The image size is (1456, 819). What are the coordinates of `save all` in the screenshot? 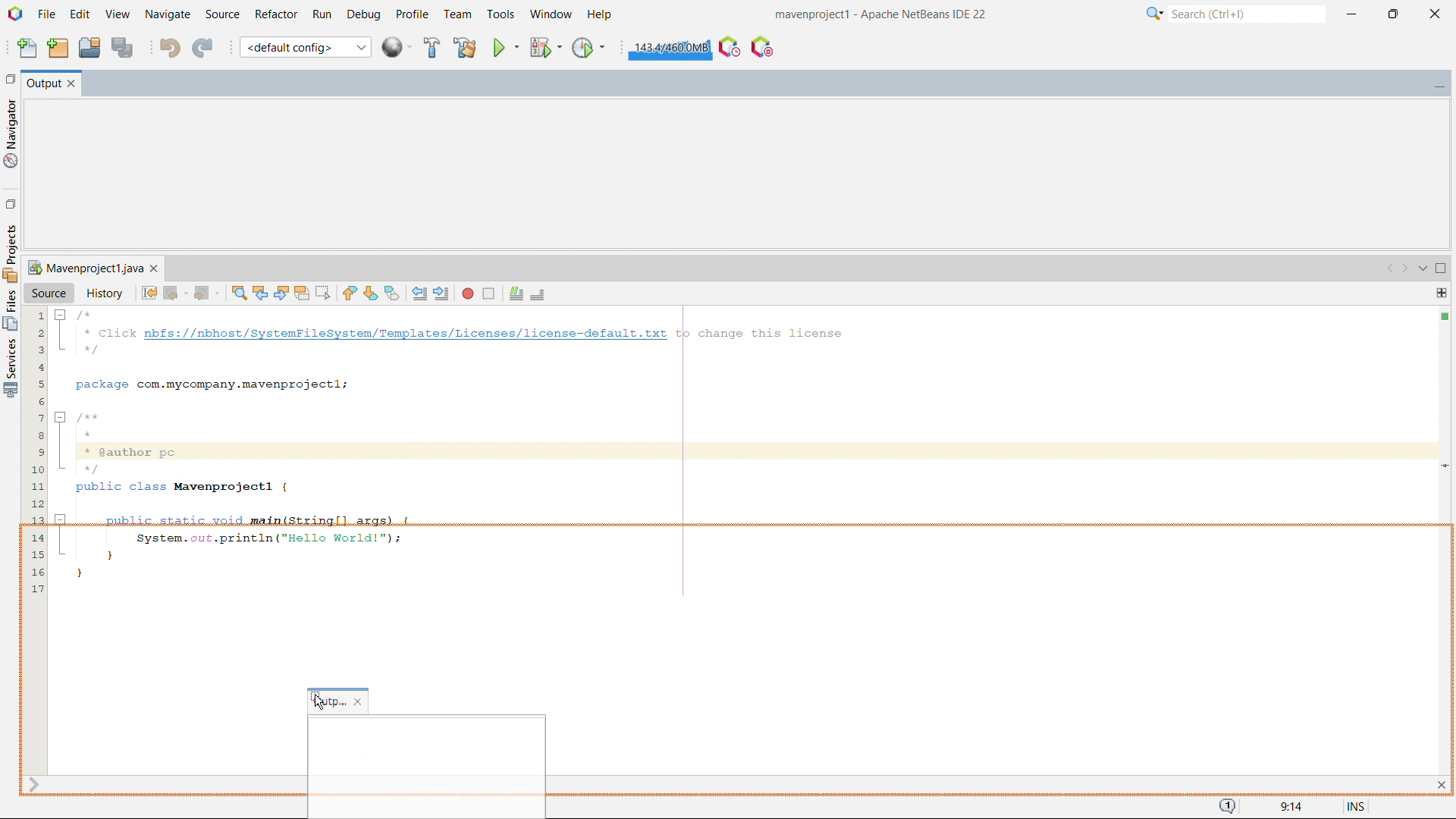 It's located at (121, 46).